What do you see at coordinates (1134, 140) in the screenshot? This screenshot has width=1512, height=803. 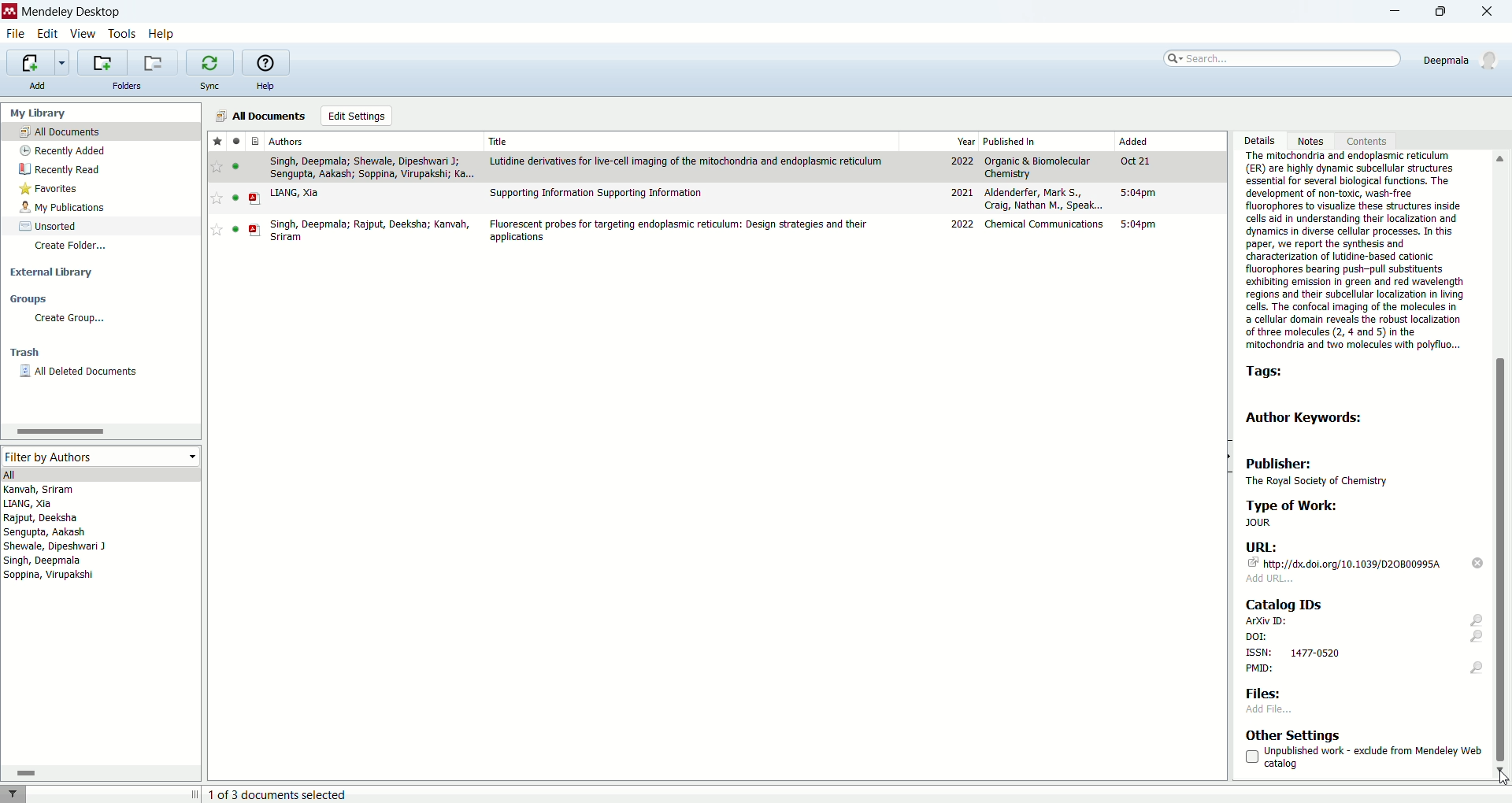 I see `added` at bounding box center [1134, 140].